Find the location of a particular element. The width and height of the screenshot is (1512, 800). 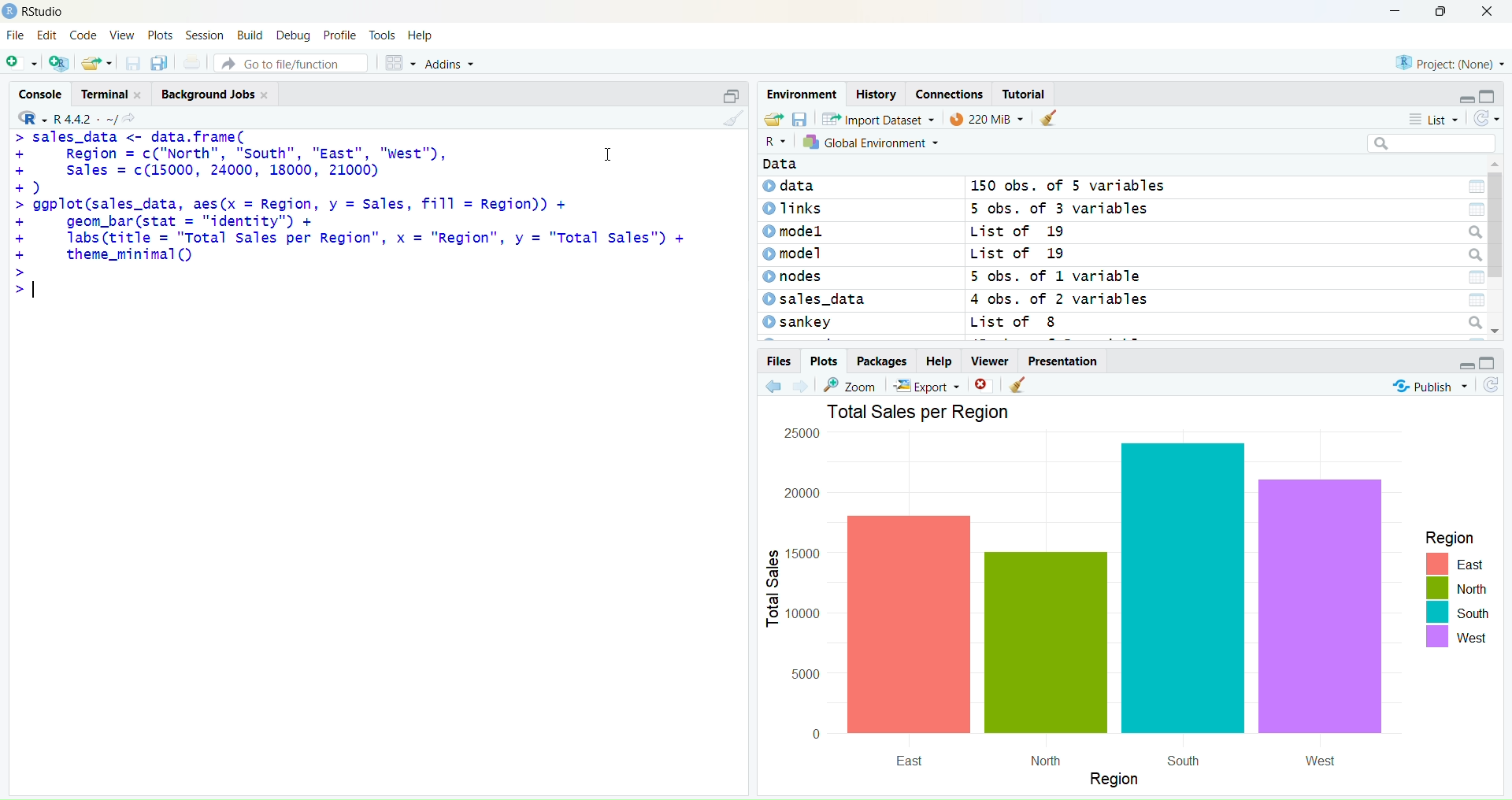

table is located at coordinates (1472, 210).